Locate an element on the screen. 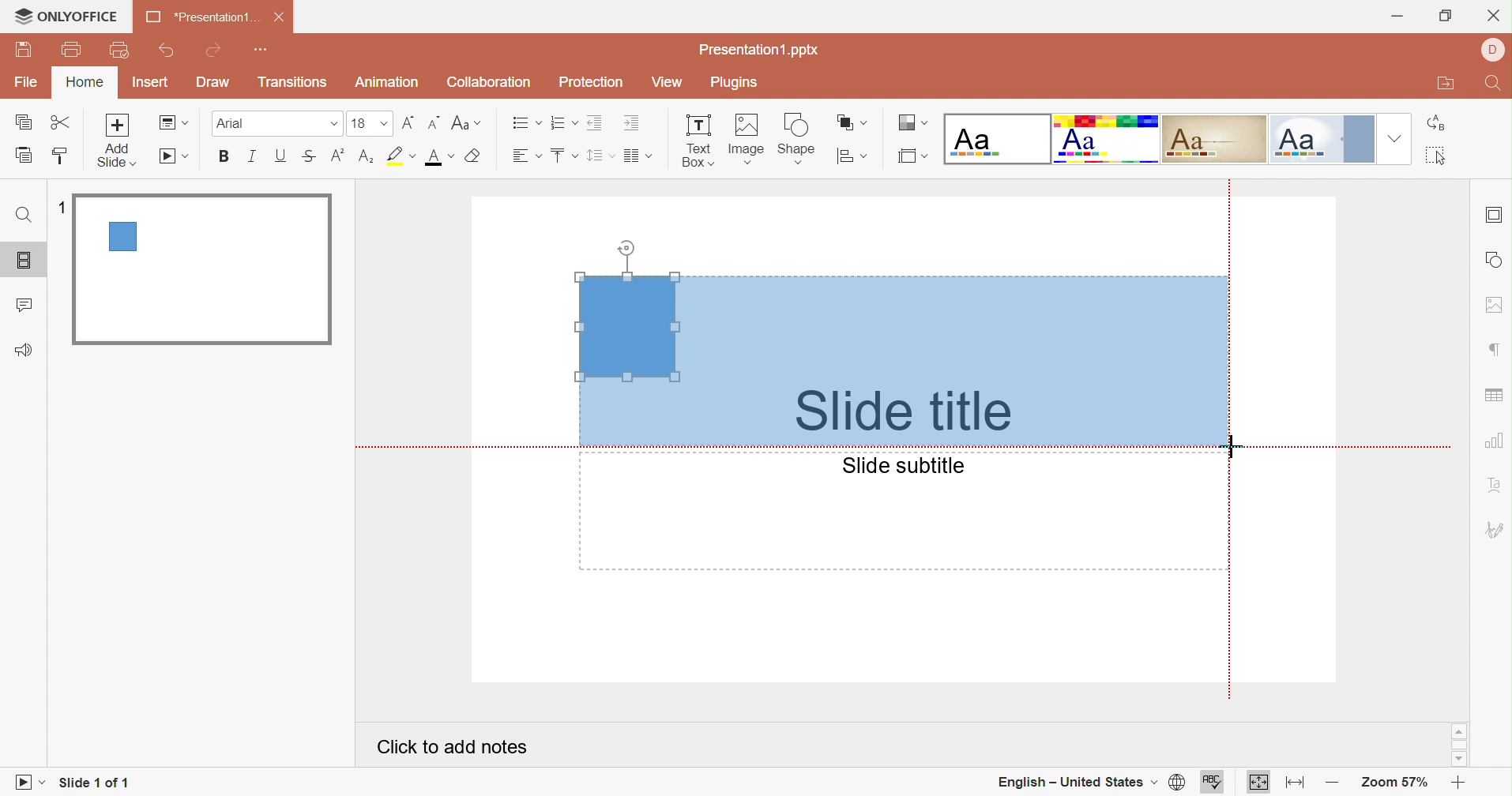 The image size is (1512, 796). Insert is located at coordinates (150, 81).